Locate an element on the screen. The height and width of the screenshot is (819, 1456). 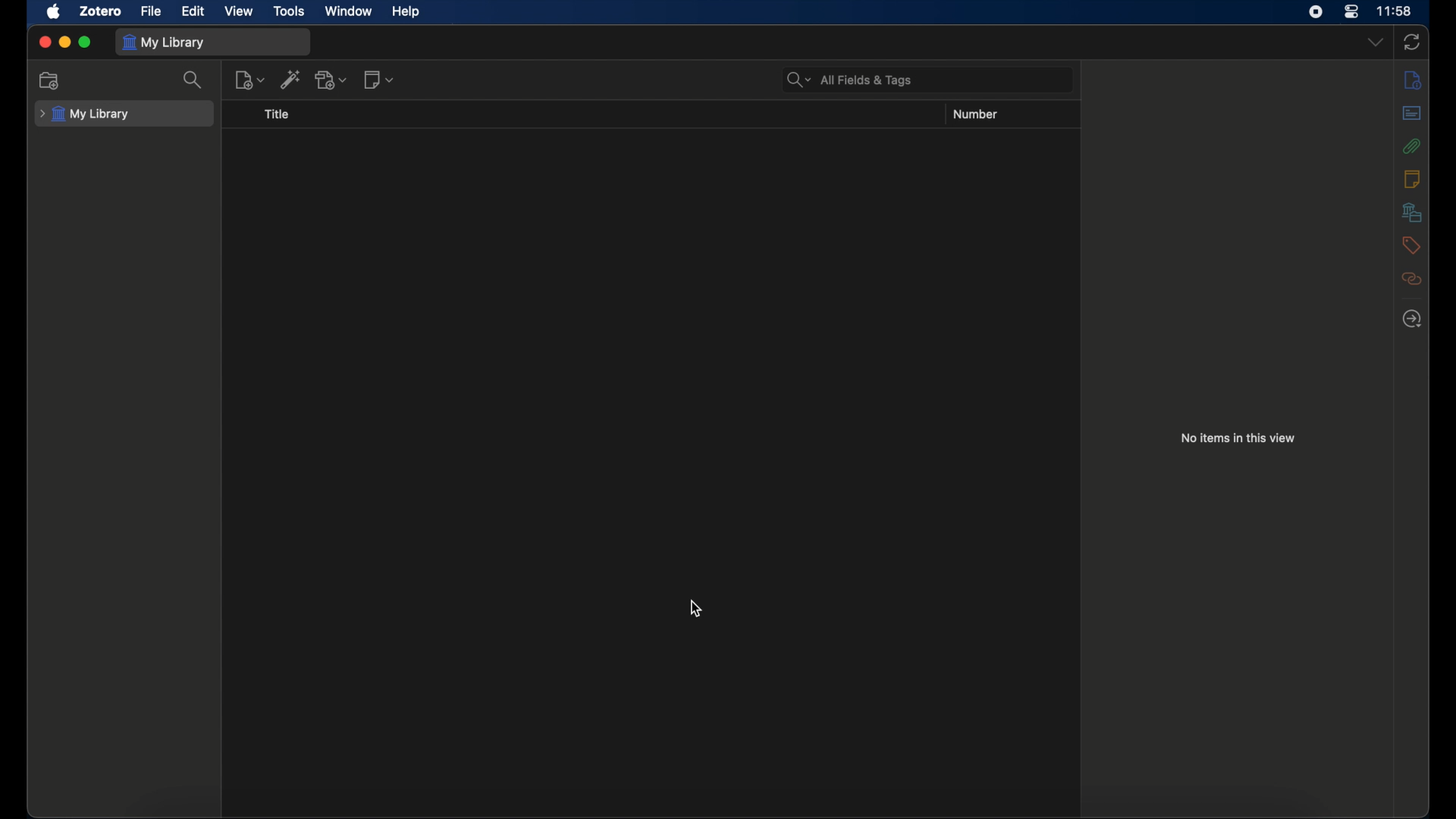
title is located at coordinates (276, 115).